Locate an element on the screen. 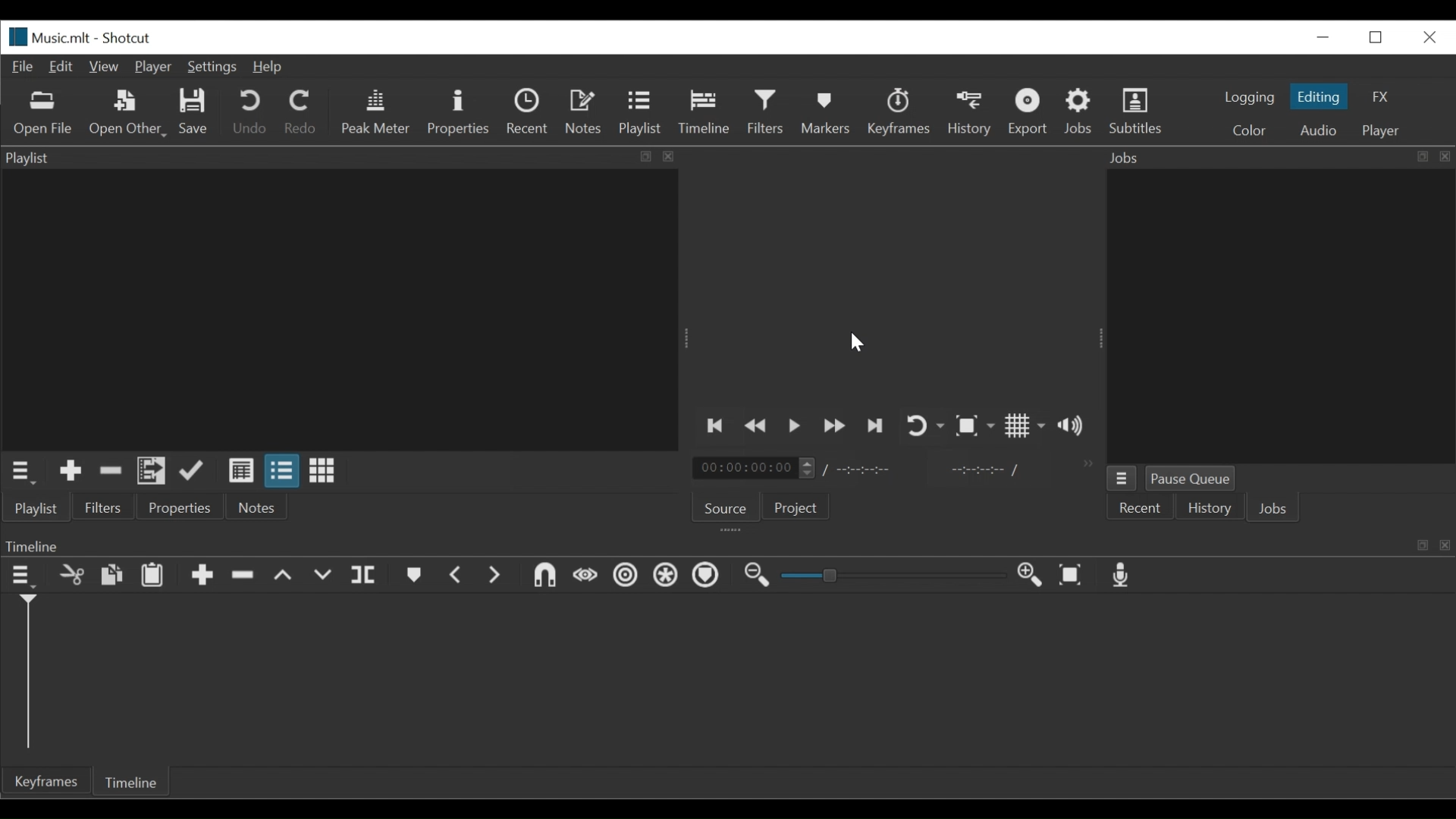  Player is located at coordinates (1380, 132).